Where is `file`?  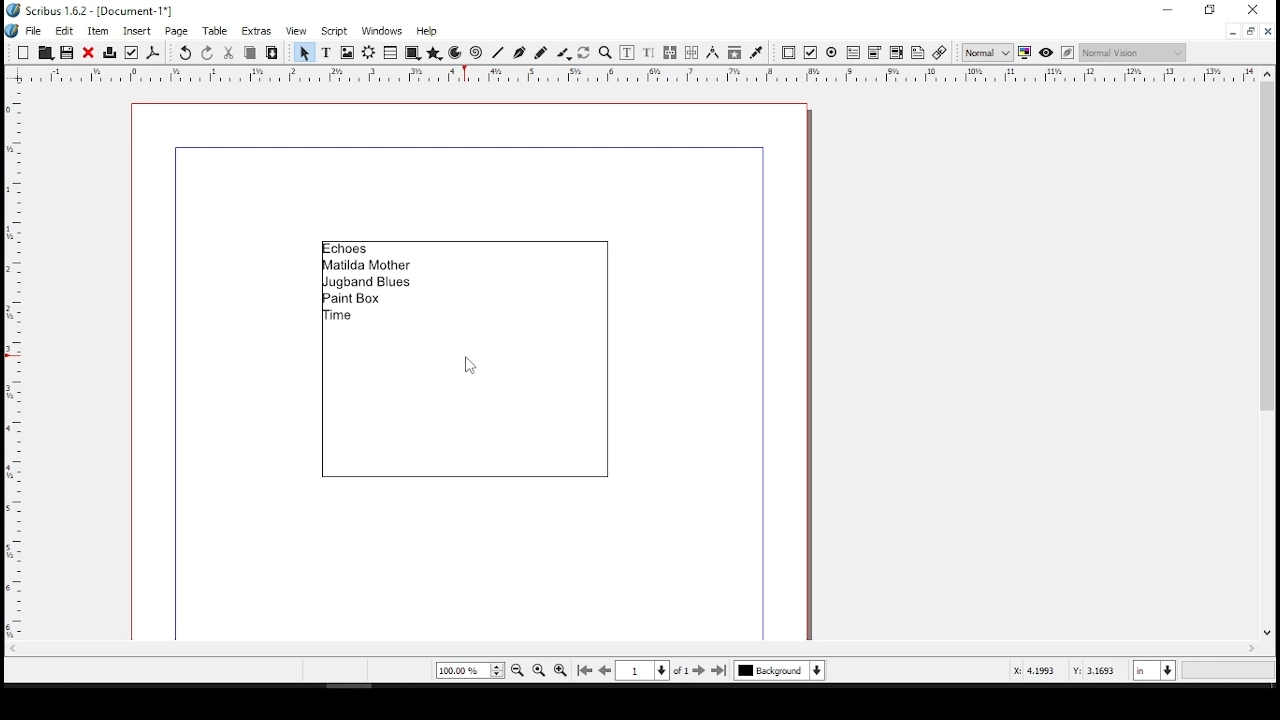 file is located at coordinates (36, 30).